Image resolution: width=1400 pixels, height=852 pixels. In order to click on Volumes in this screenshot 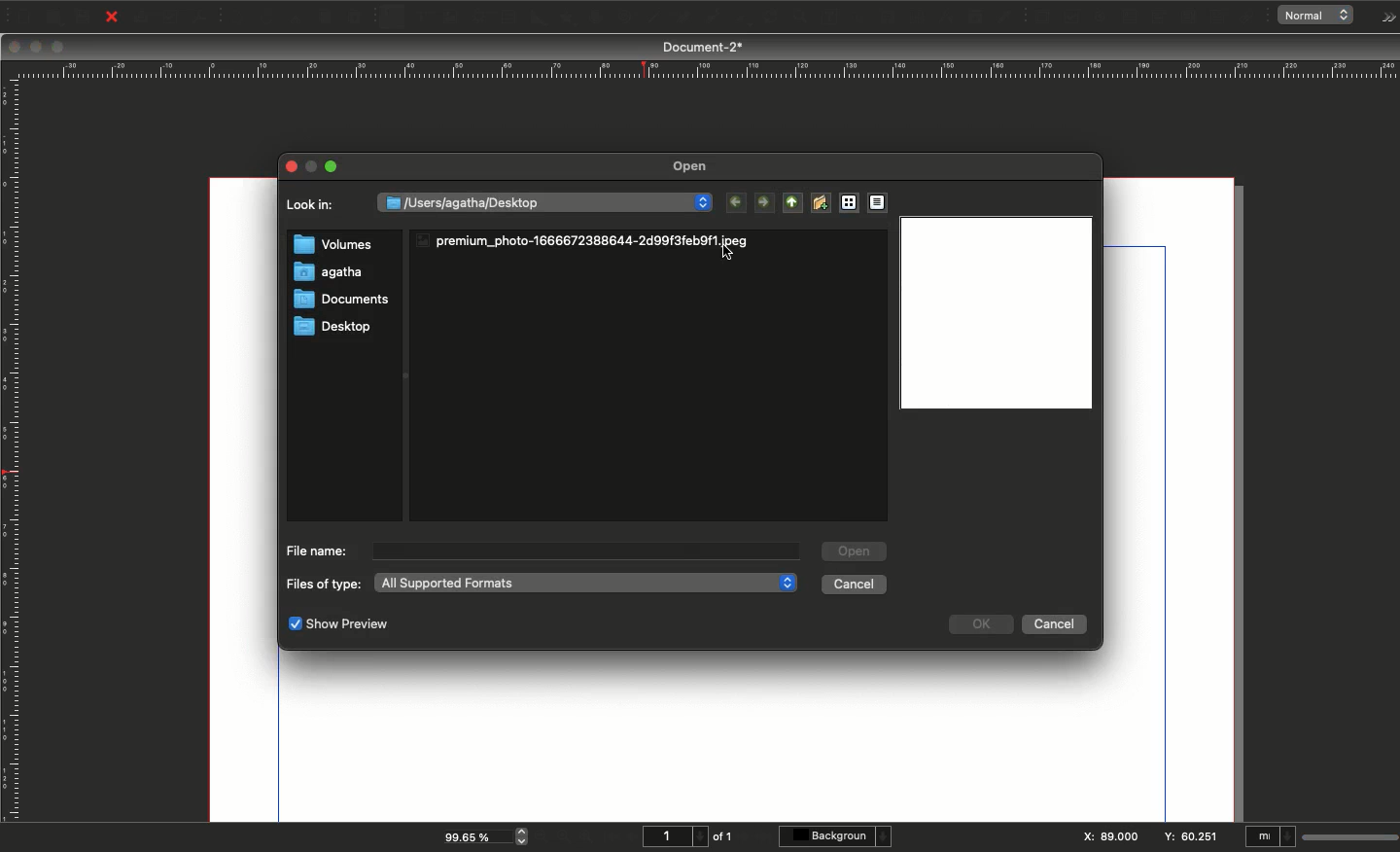, I will do `click(332, 246)`.